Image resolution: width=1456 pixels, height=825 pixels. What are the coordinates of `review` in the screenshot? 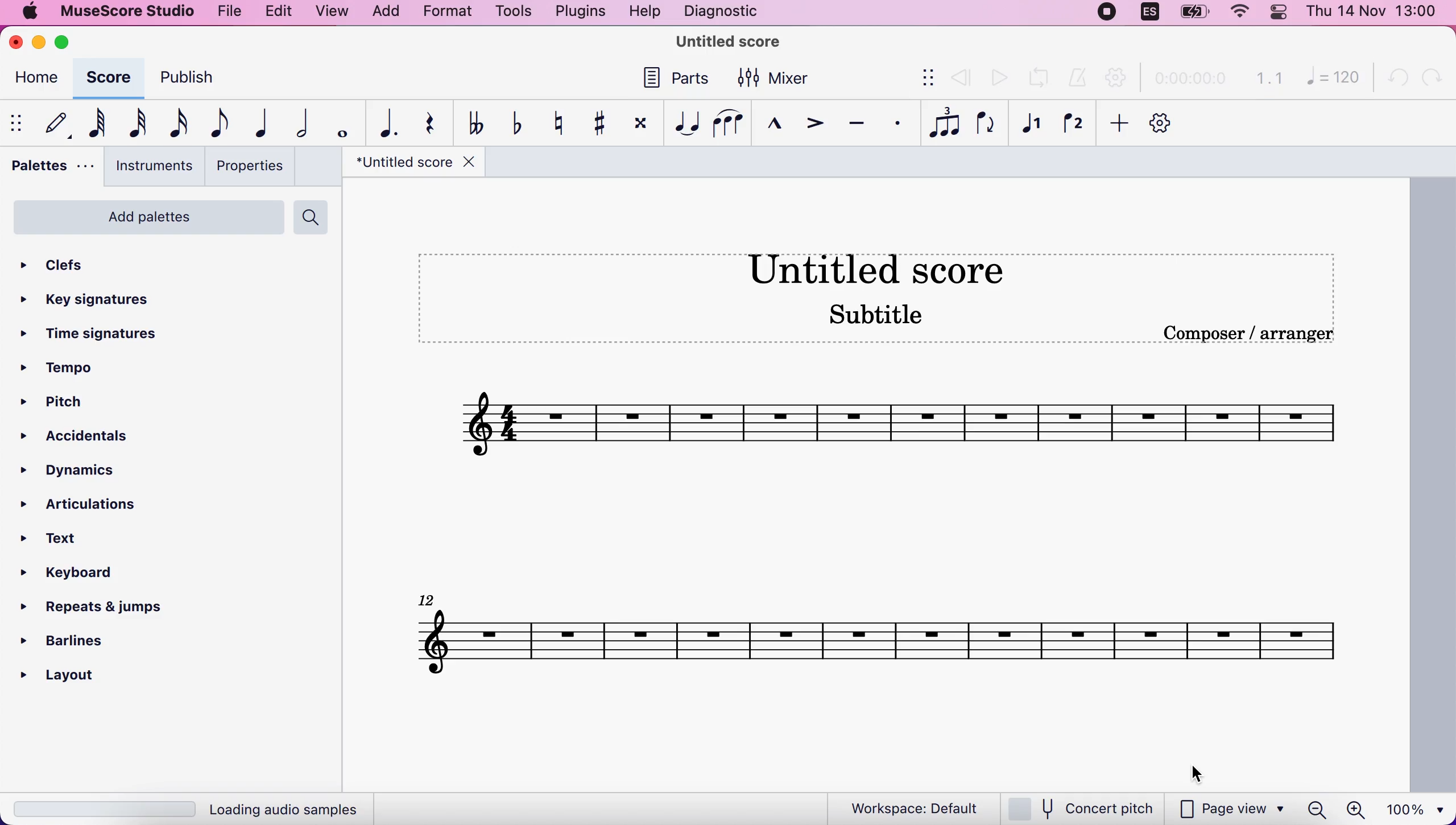 It's located at (960, 79).